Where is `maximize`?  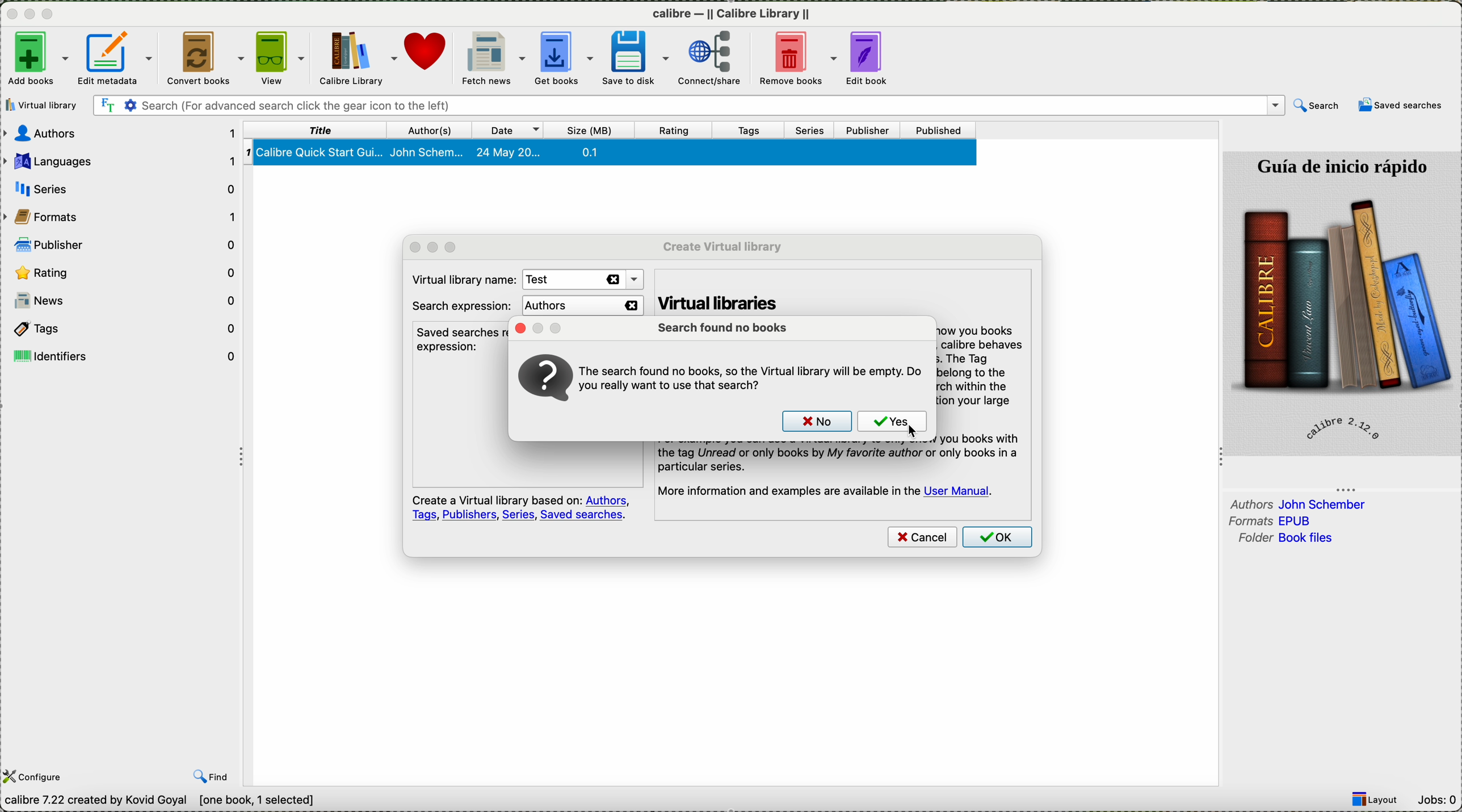 maximize is located at coordinates (559, 327).